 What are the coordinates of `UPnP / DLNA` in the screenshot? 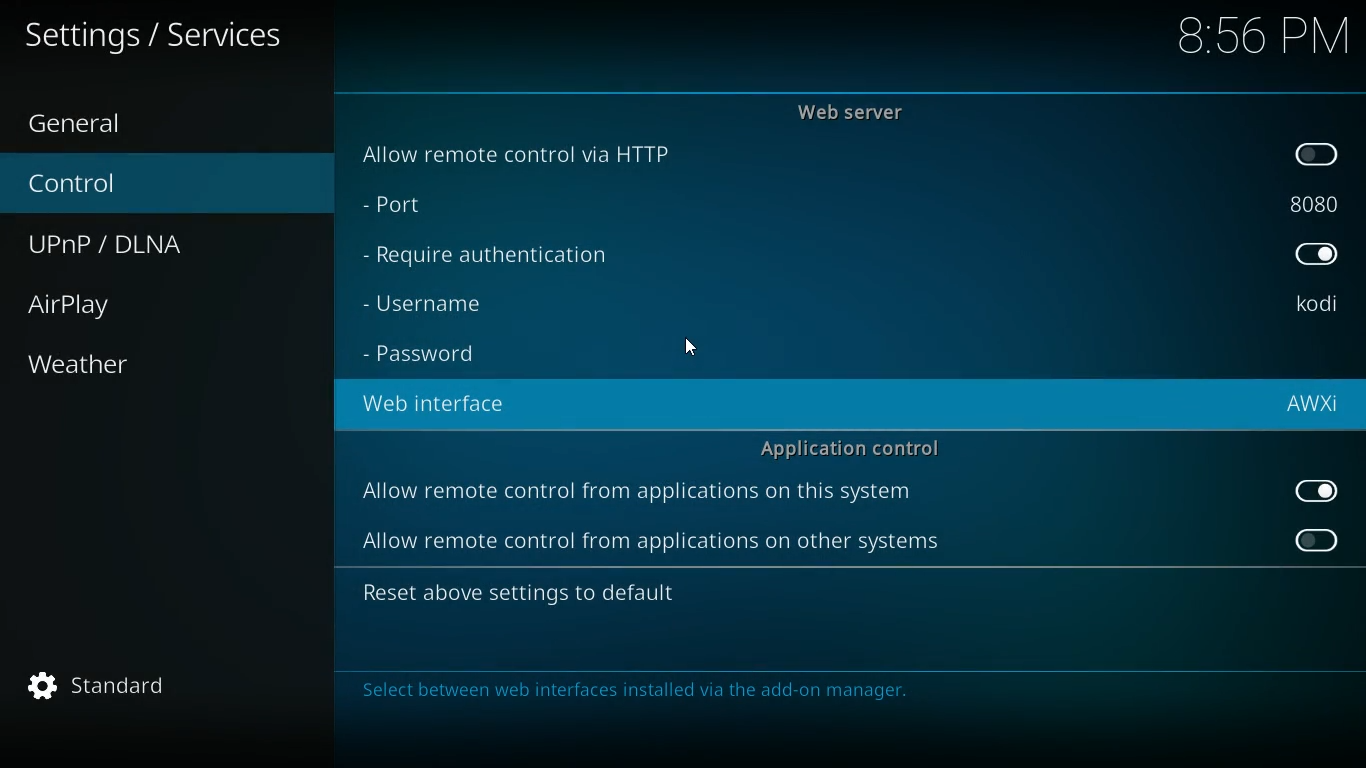 It's located at (125, 245).